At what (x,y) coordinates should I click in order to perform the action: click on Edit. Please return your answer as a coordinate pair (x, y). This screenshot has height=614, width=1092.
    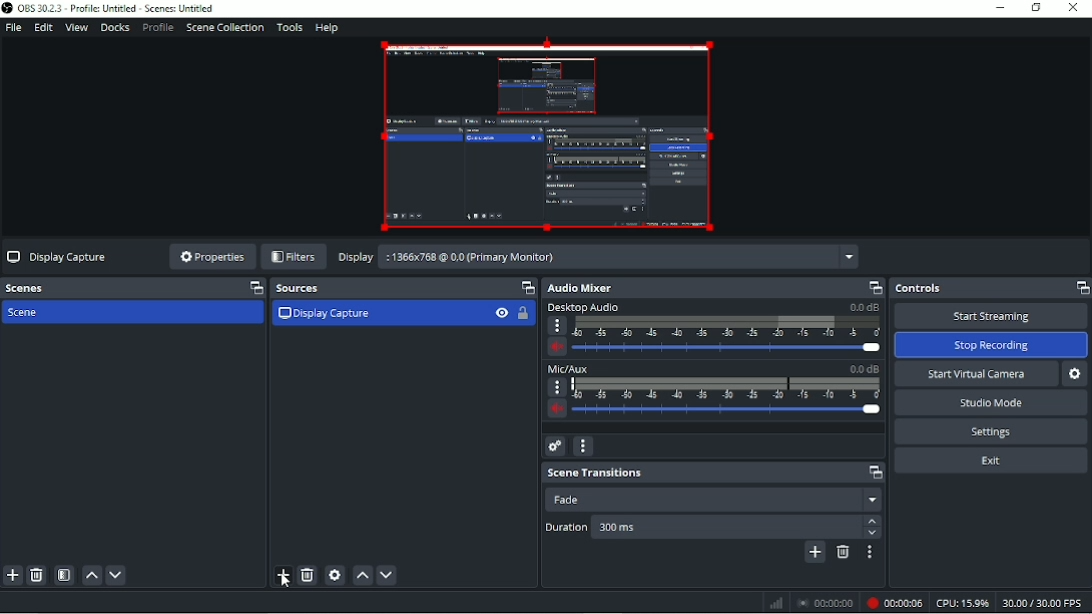
    Looking at the image, I should click on (43, 27).